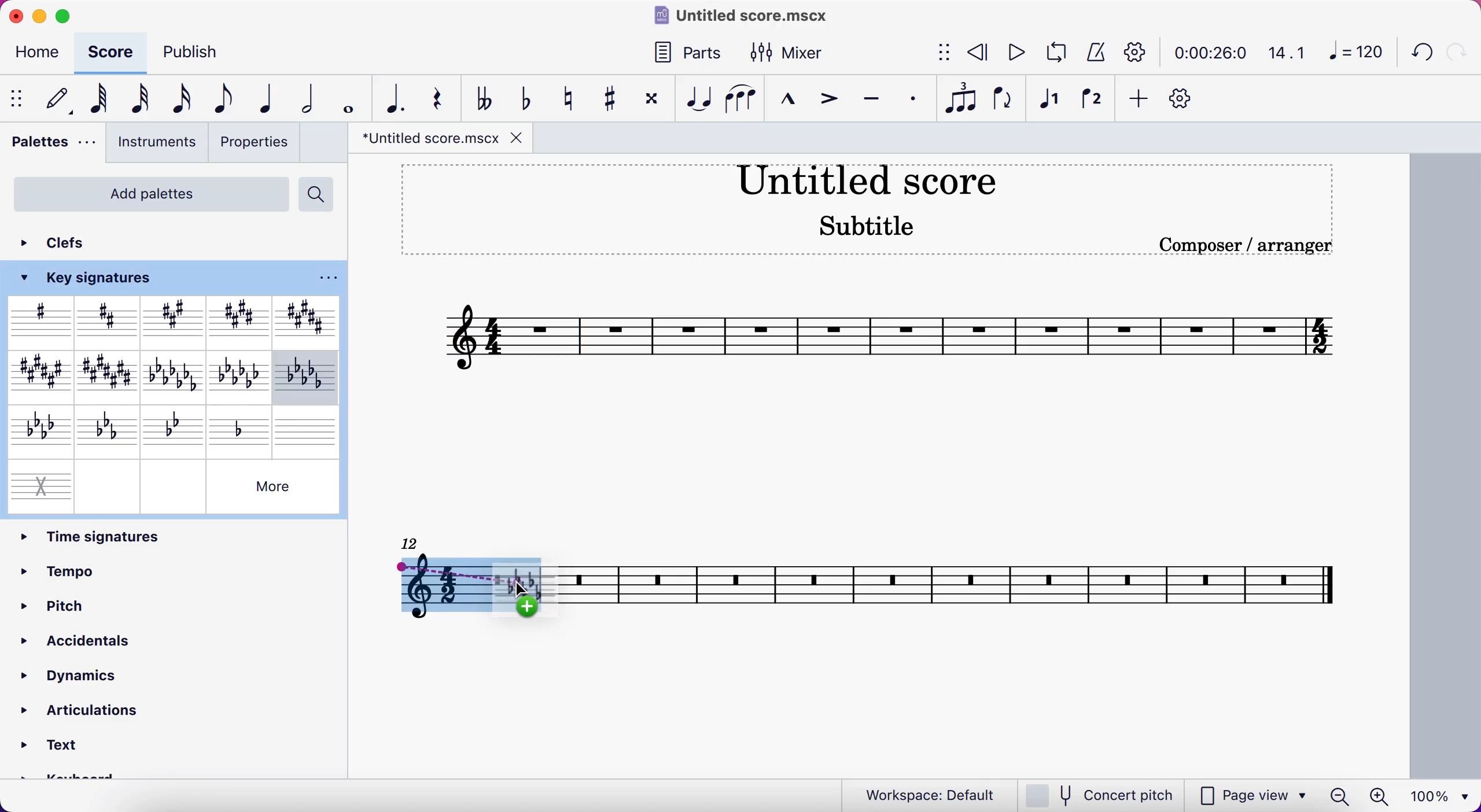  I want to click on E major, so click(237, 318).